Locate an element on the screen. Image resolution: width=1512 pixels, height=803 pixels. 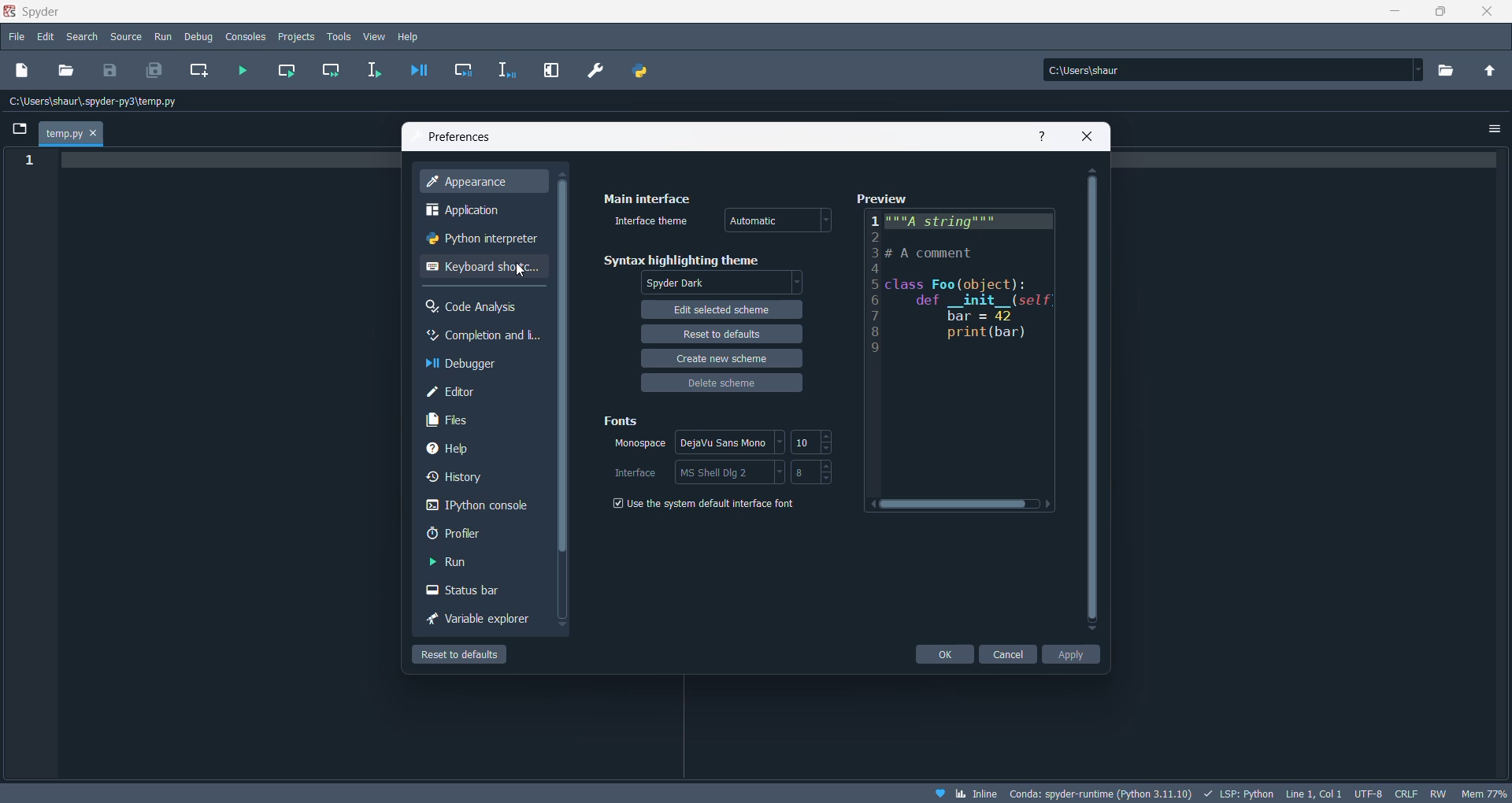
create new cell is located at coordinates (199, 72).